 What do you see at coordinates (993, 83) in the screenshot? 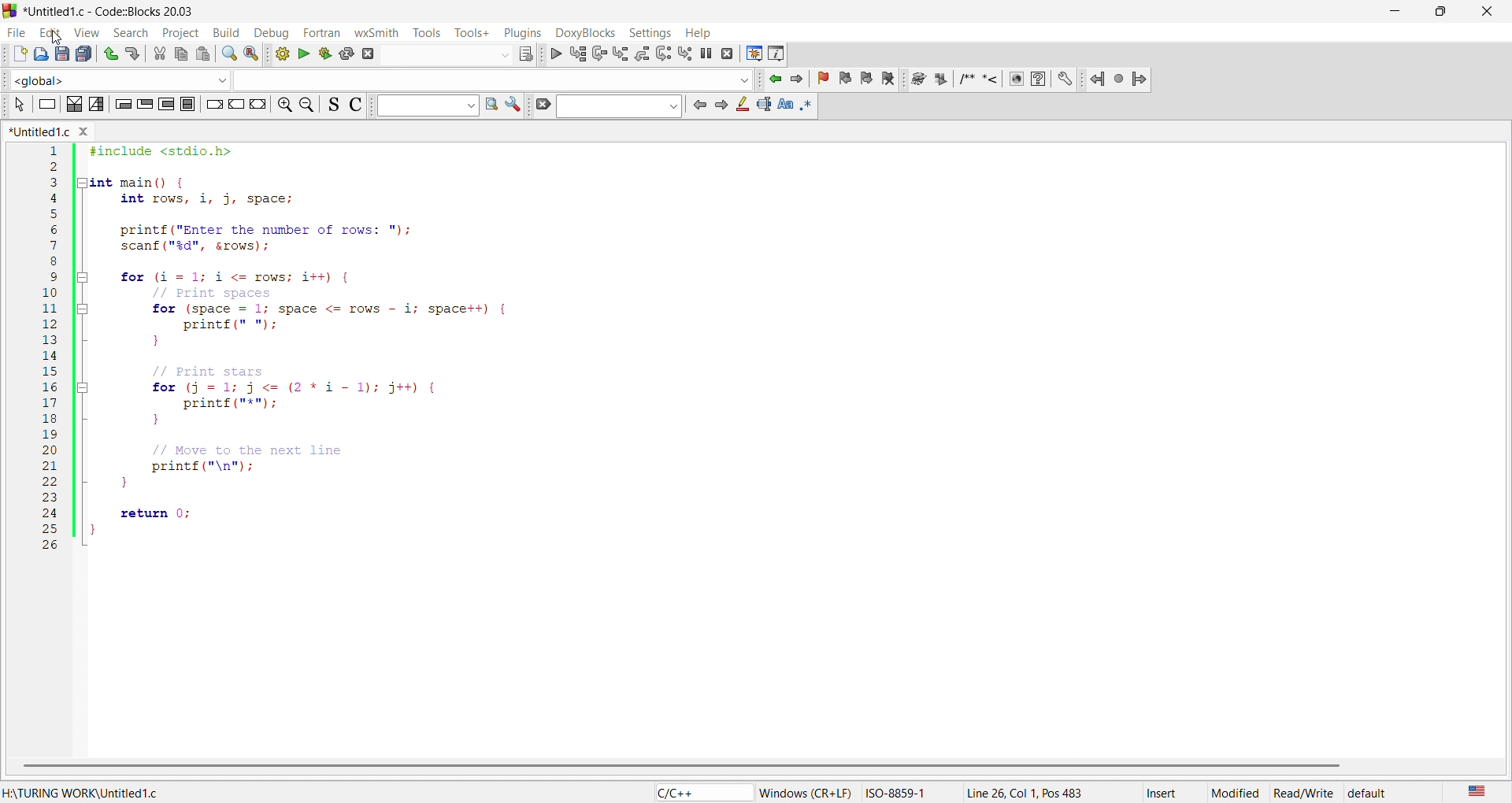
I see `docxy blocks` at bounding box center [993, 83].